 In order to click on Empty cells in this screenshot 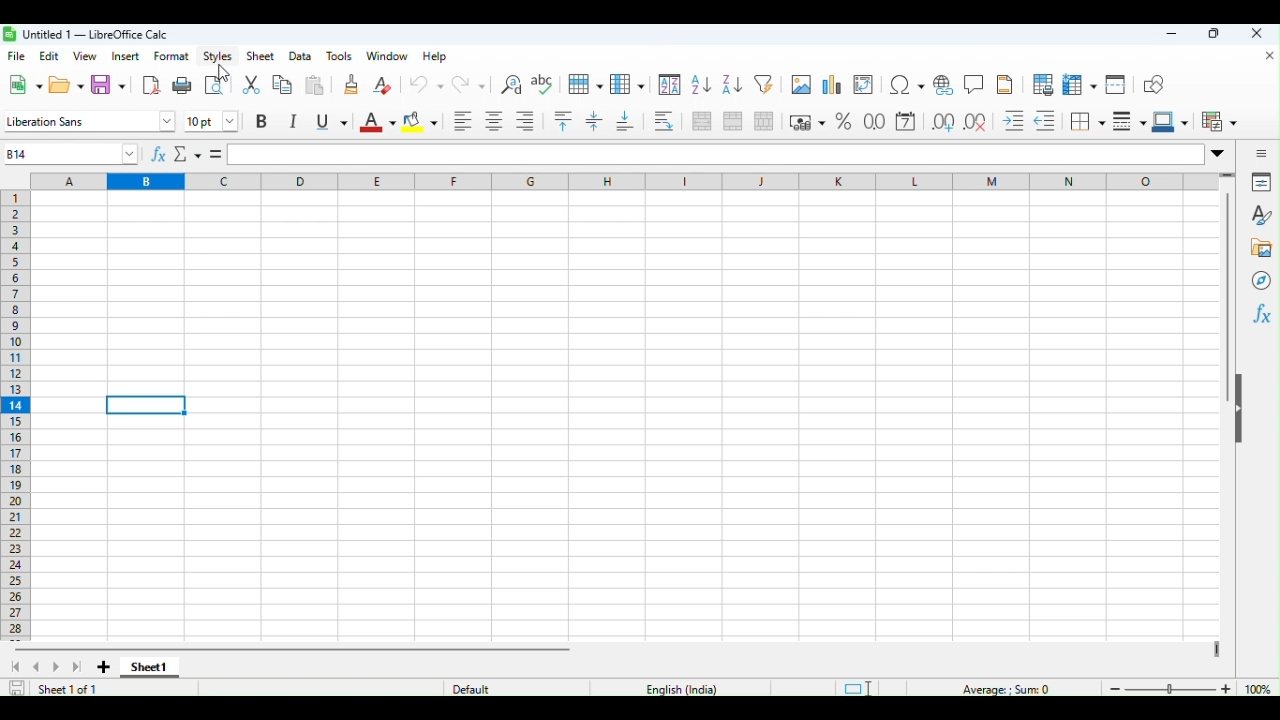, I will do `click(631, 417)`.